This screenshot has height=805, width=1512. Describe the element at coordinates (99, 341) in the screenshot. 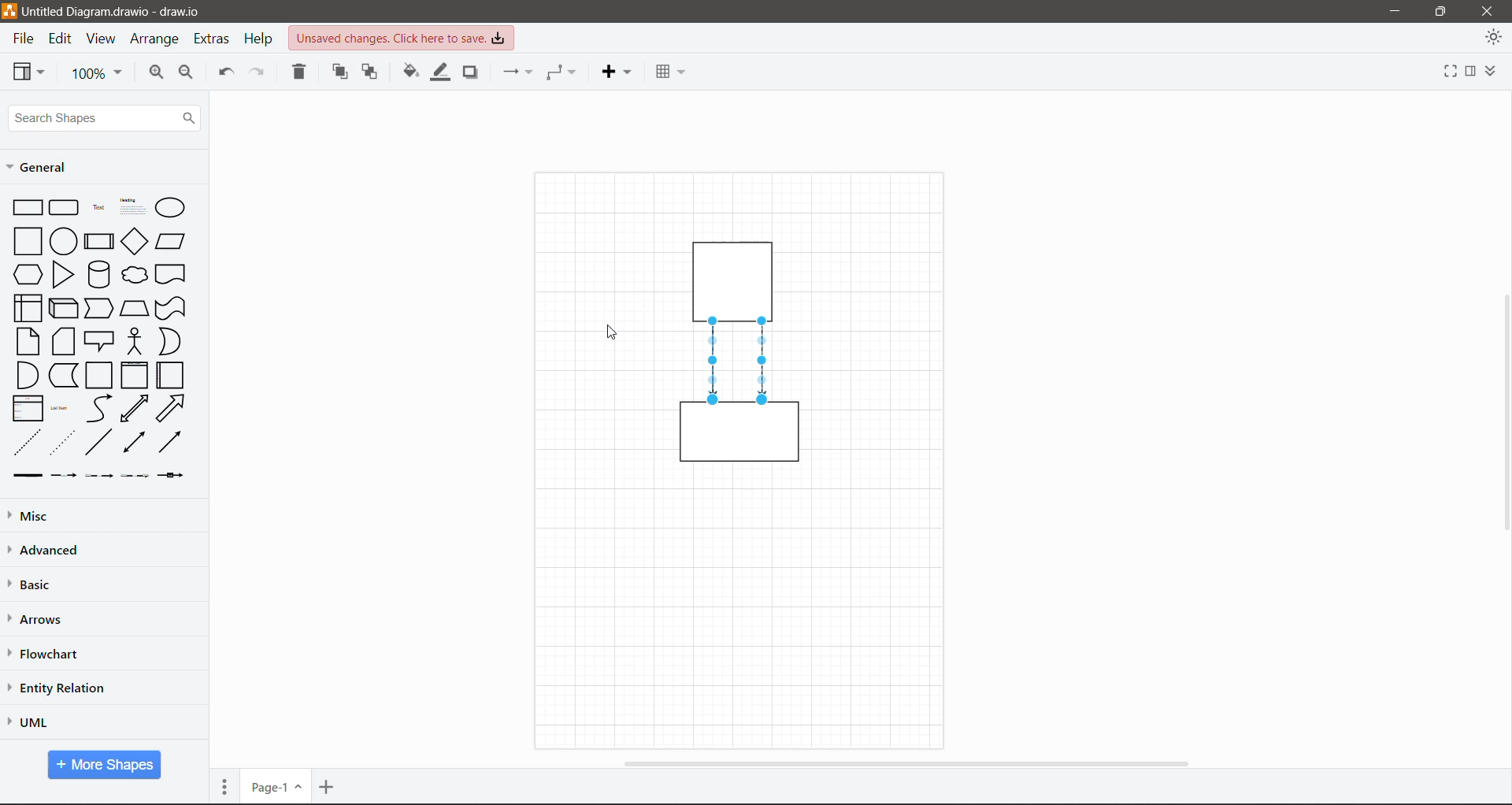

I see `Callout` at that location.